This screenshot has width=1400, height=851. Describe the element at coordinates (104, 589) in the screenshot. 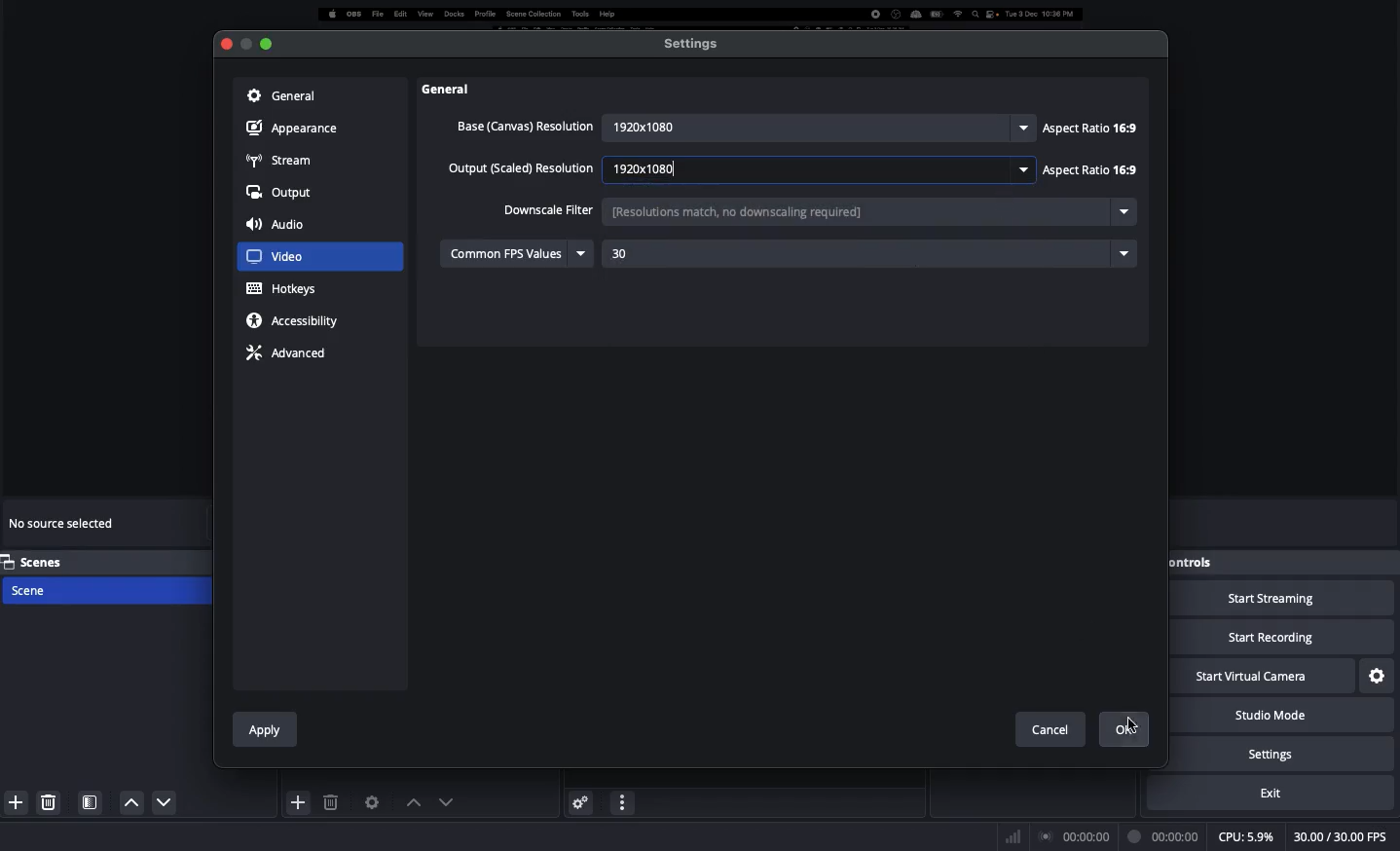

I see `Scen` at that location.